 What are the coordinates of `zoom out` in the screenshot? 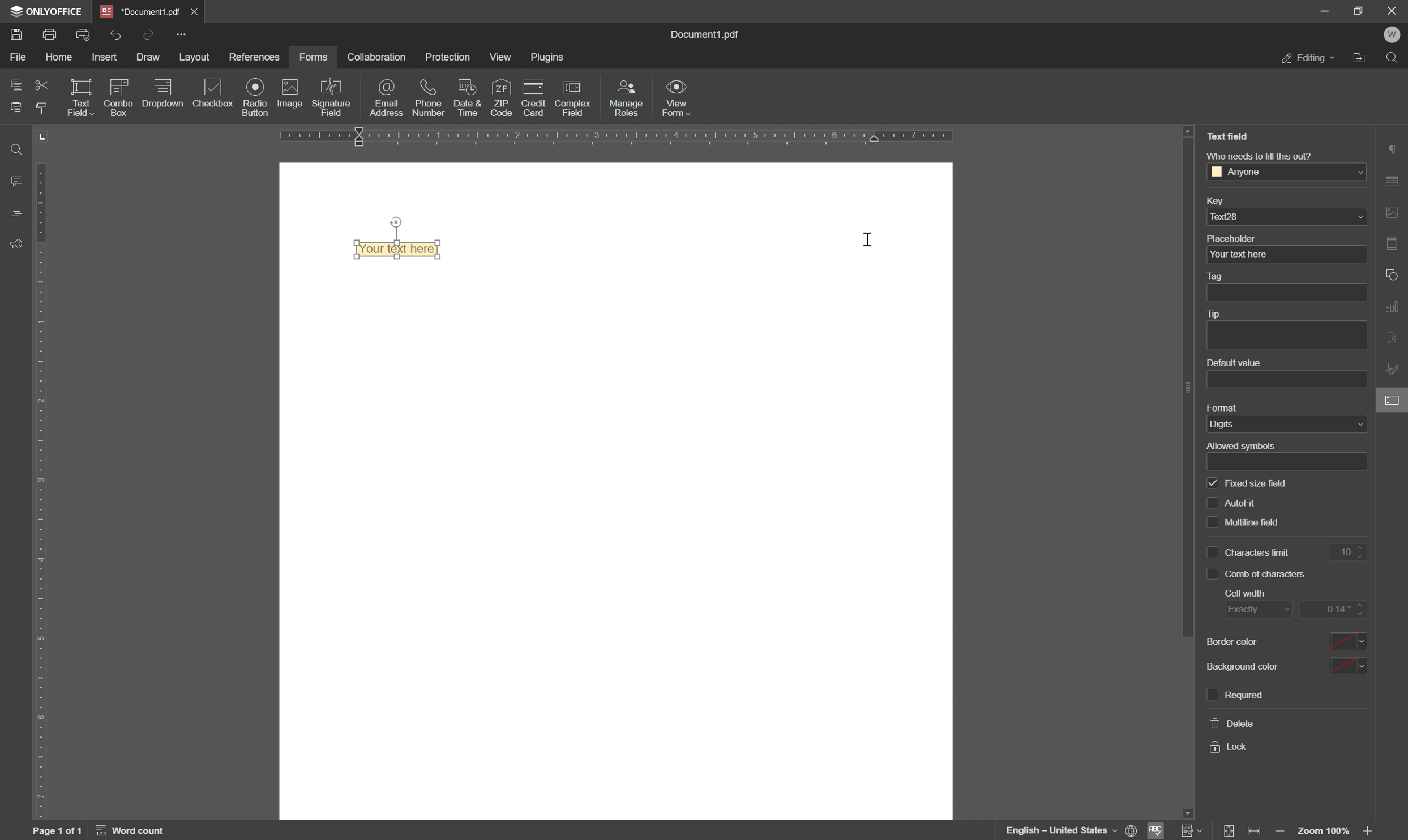 It's located at (1371, 832).